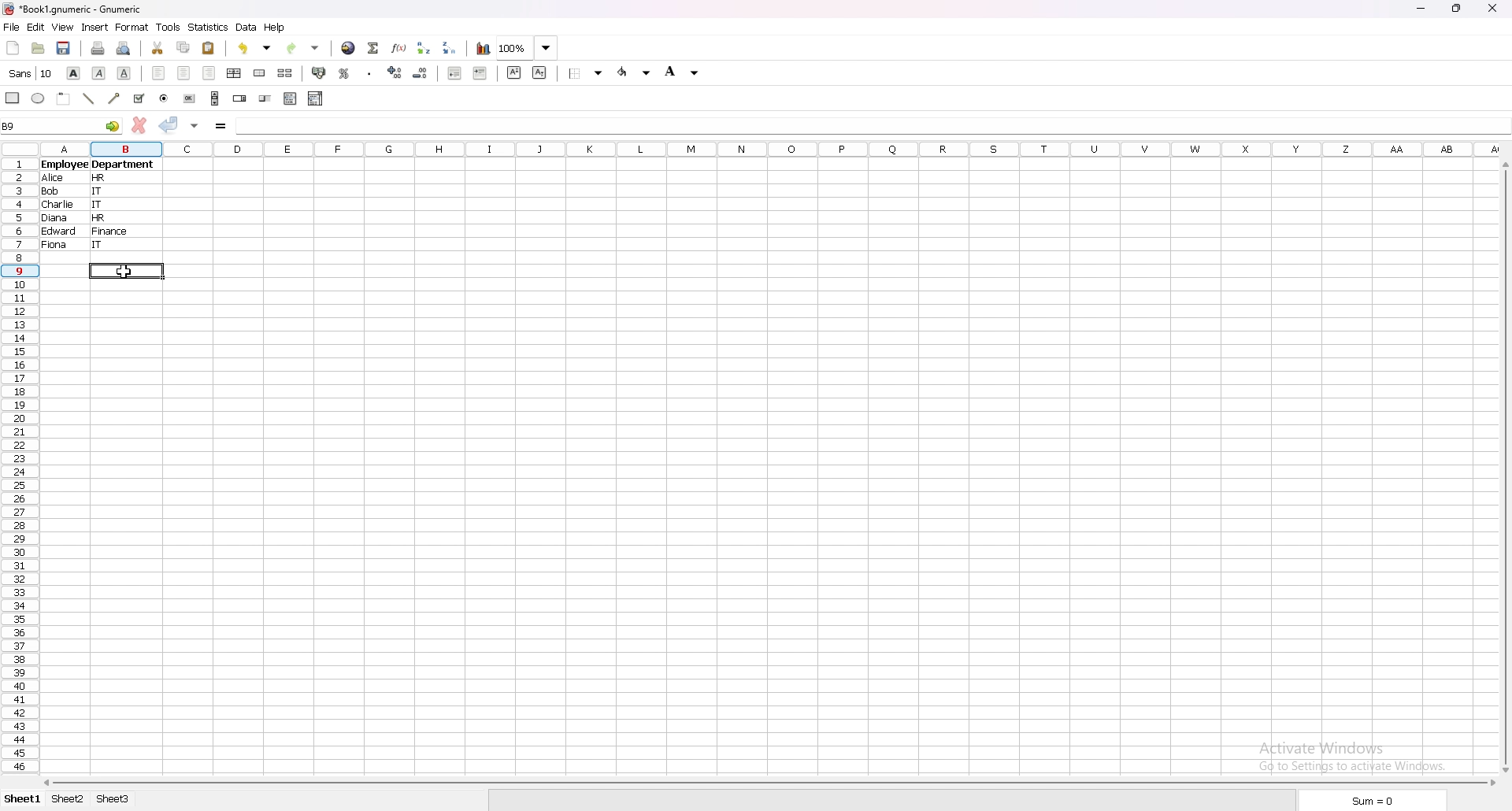 The width and height of the screenshot is (1512, 811). Describe the element at coordinates (398, 48) in the screenshot. I see `function` at that location.